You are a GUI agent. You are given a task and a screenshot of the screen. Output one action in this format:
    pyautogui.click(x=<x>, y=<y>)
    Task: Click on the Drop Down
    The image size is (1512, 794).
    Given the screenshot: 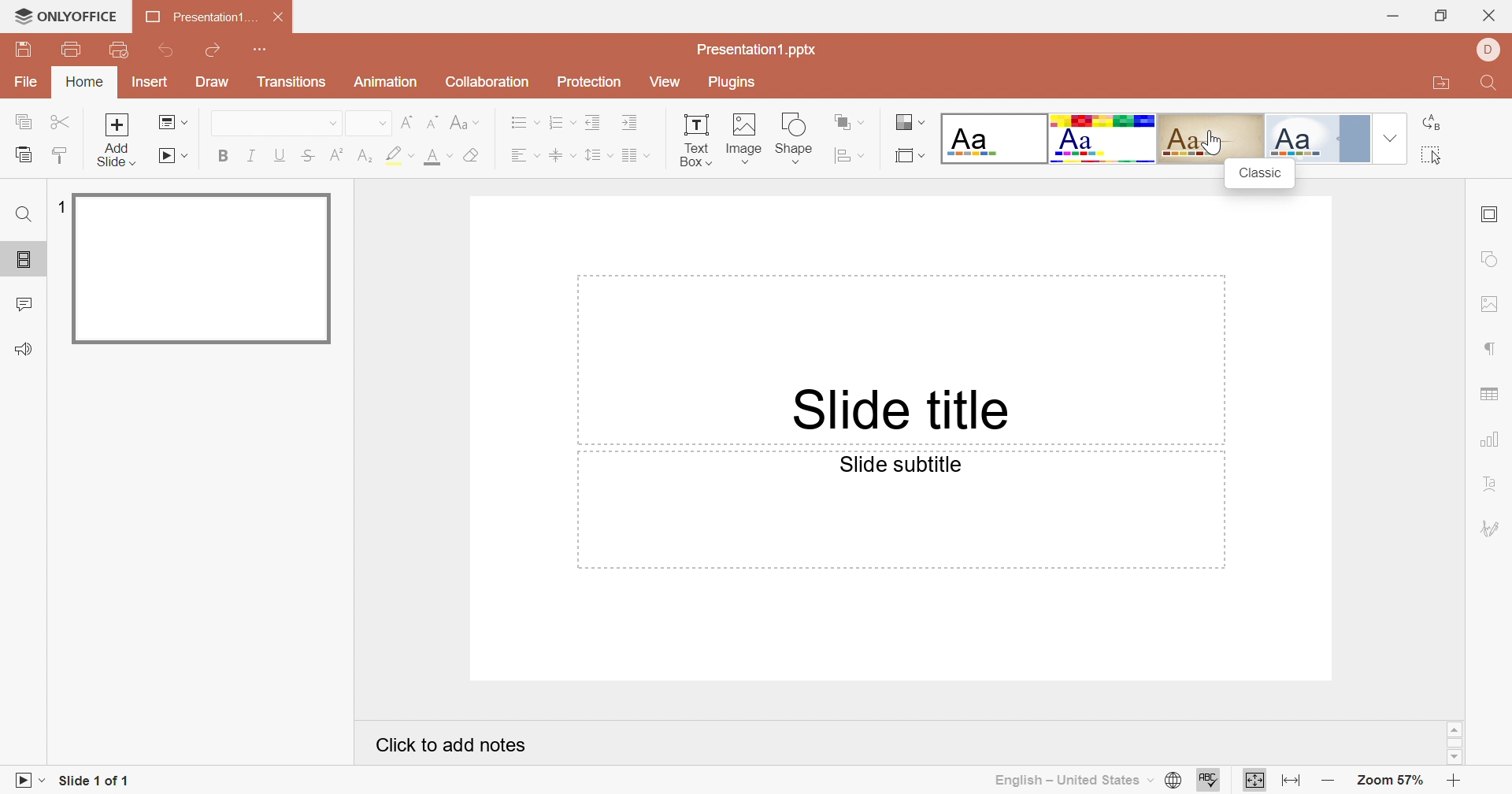 What is the action you would take?
    pyautogui.click(x=45, y=779)
    